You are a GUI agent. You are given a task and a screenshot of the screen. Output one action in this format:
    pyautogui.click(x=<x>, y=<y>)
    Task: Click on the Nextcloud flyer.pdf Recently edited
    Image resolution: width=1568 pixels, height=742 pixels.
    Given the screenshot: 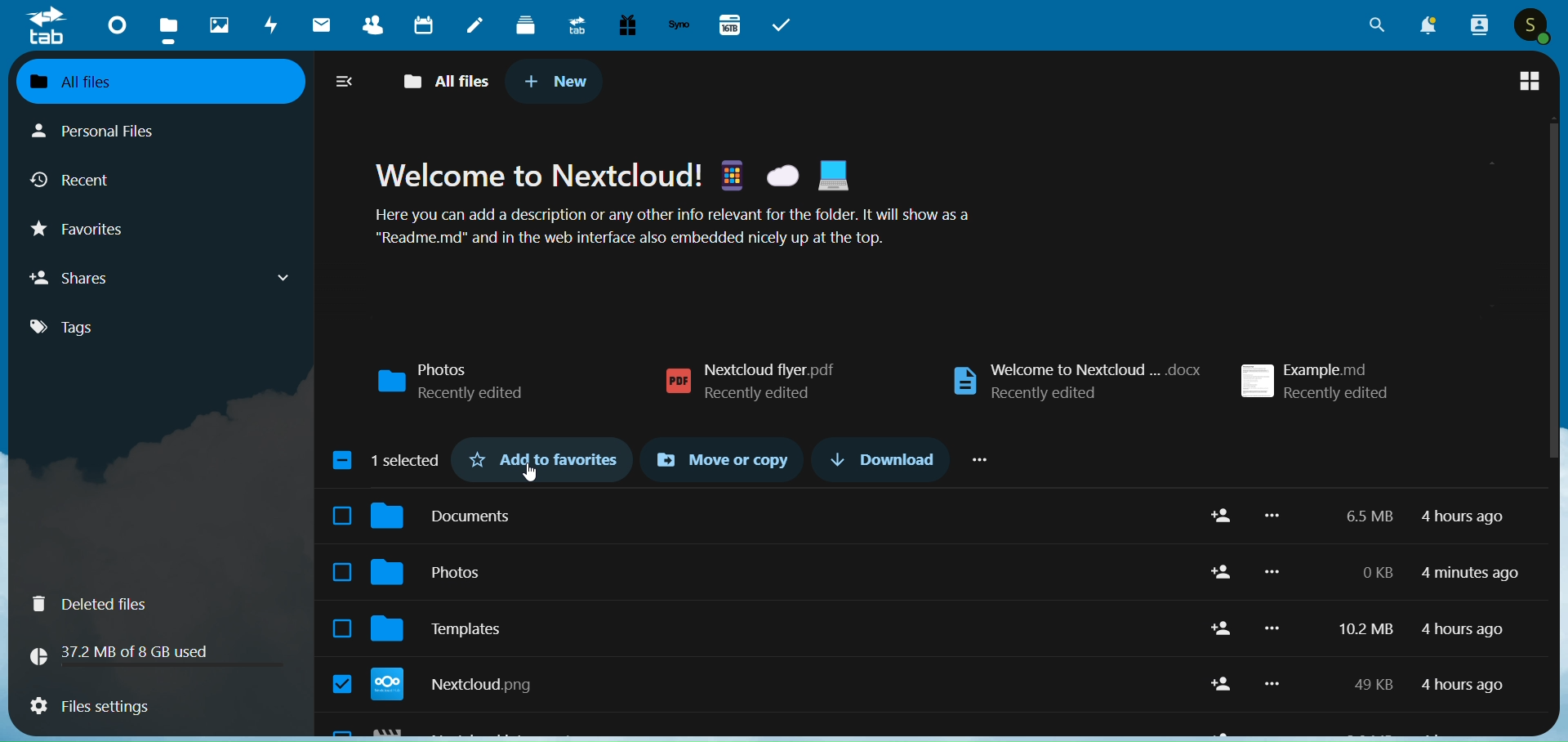 What is the action you would take?
    pyautogui.click(x=750, y=382)
    